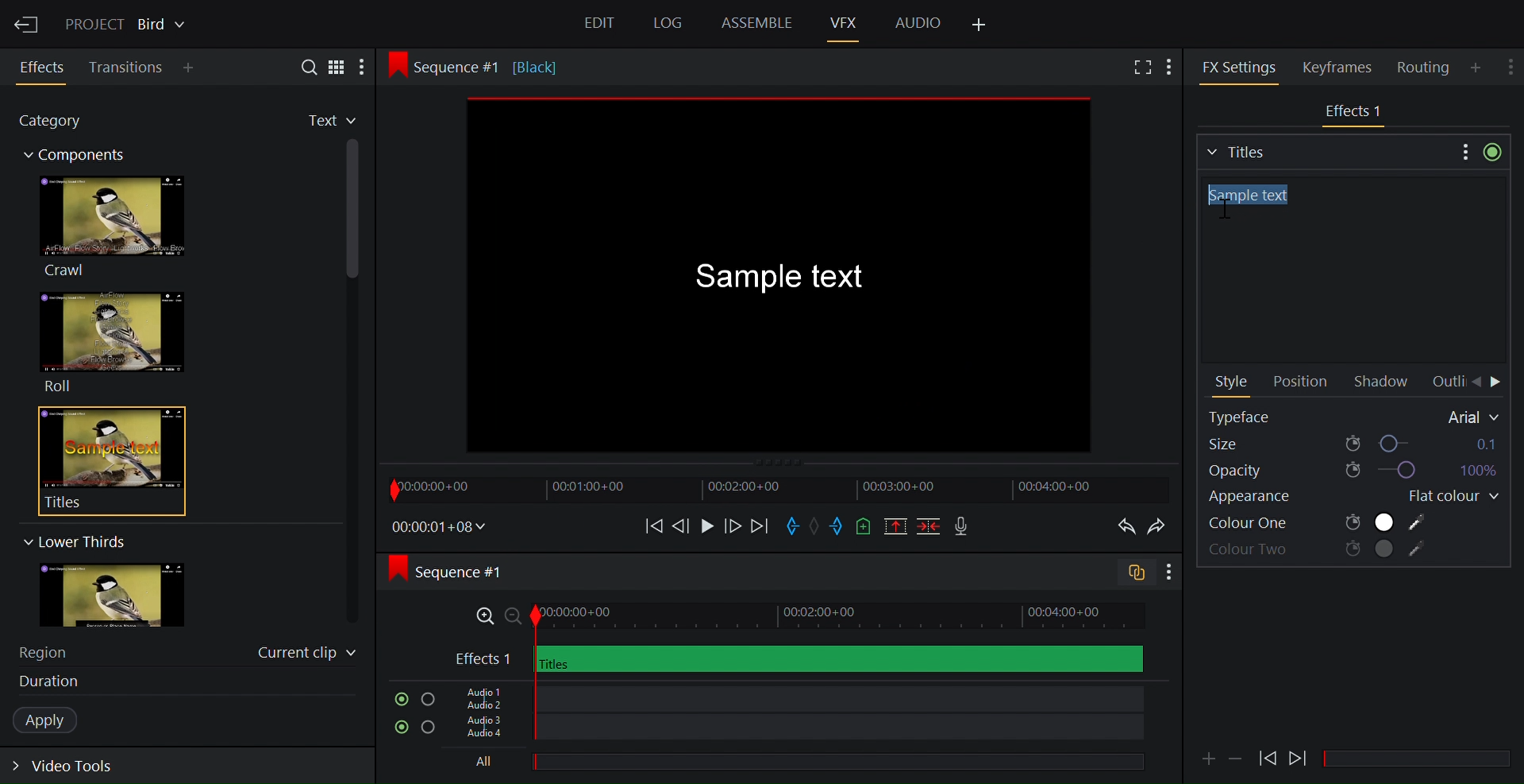  Describe the element at coordinates (28, 22) in the screenshot. I see `Exit Current Project` at that location.